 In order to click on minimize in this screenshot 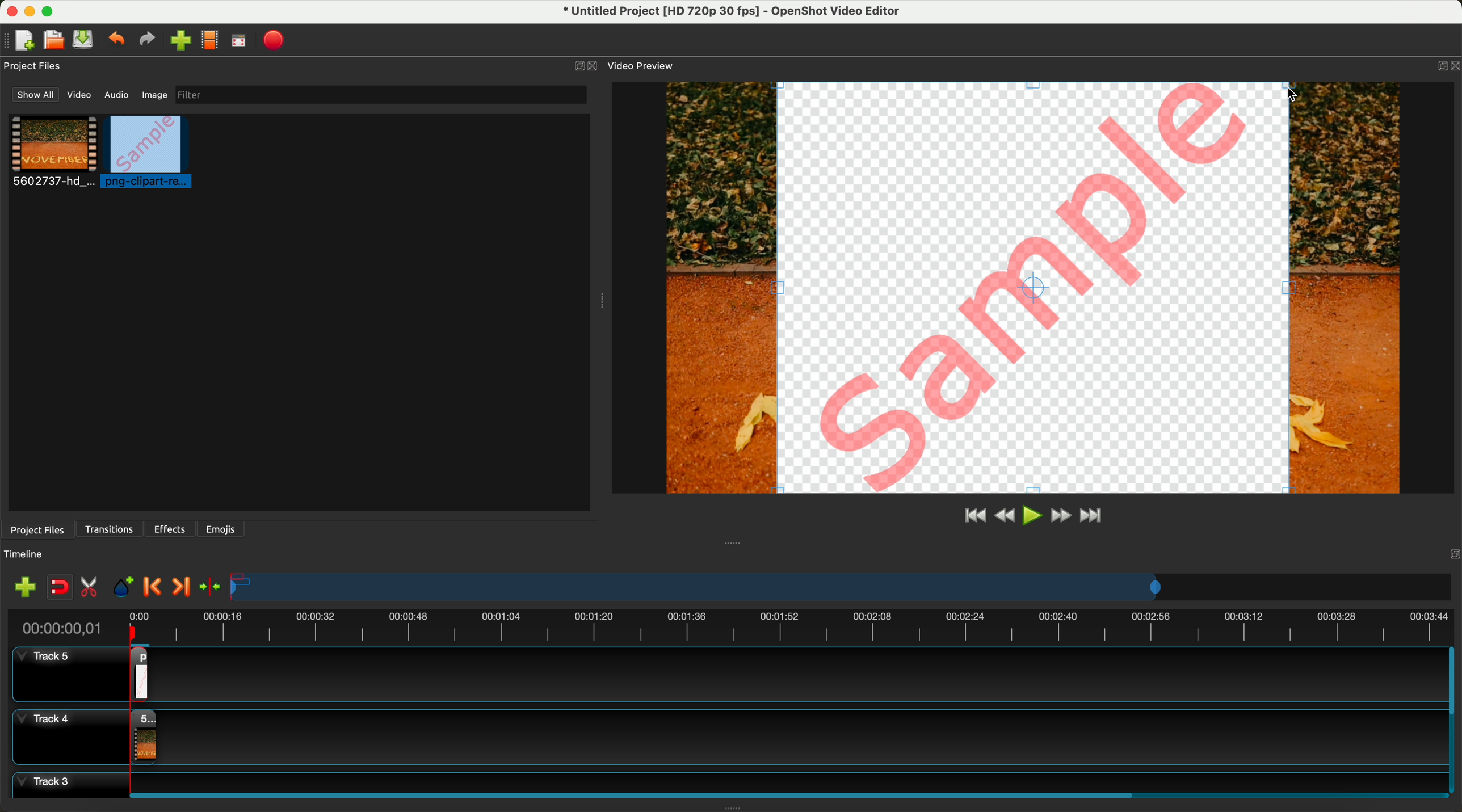, I will do `click(30, 14)`.